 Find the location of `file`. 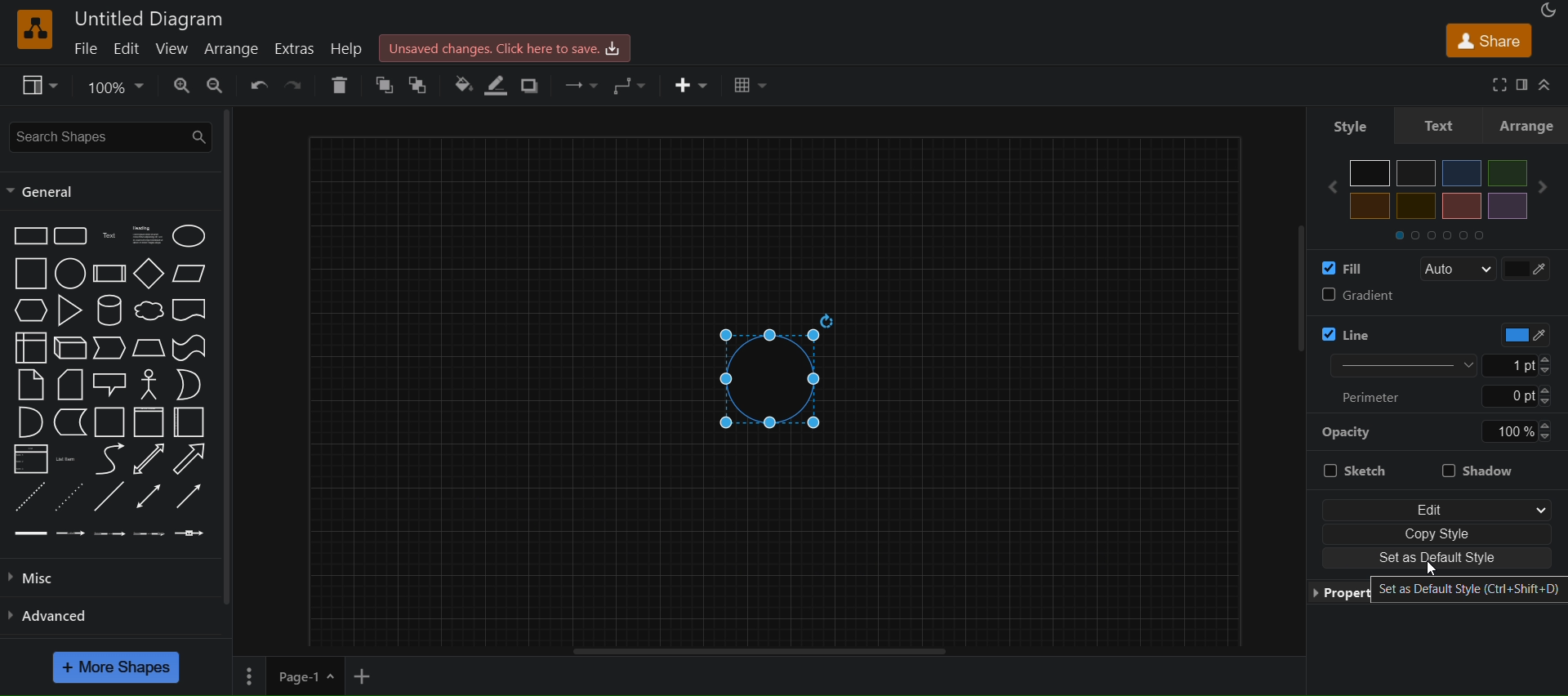

file is located at coordinates (88, 47).